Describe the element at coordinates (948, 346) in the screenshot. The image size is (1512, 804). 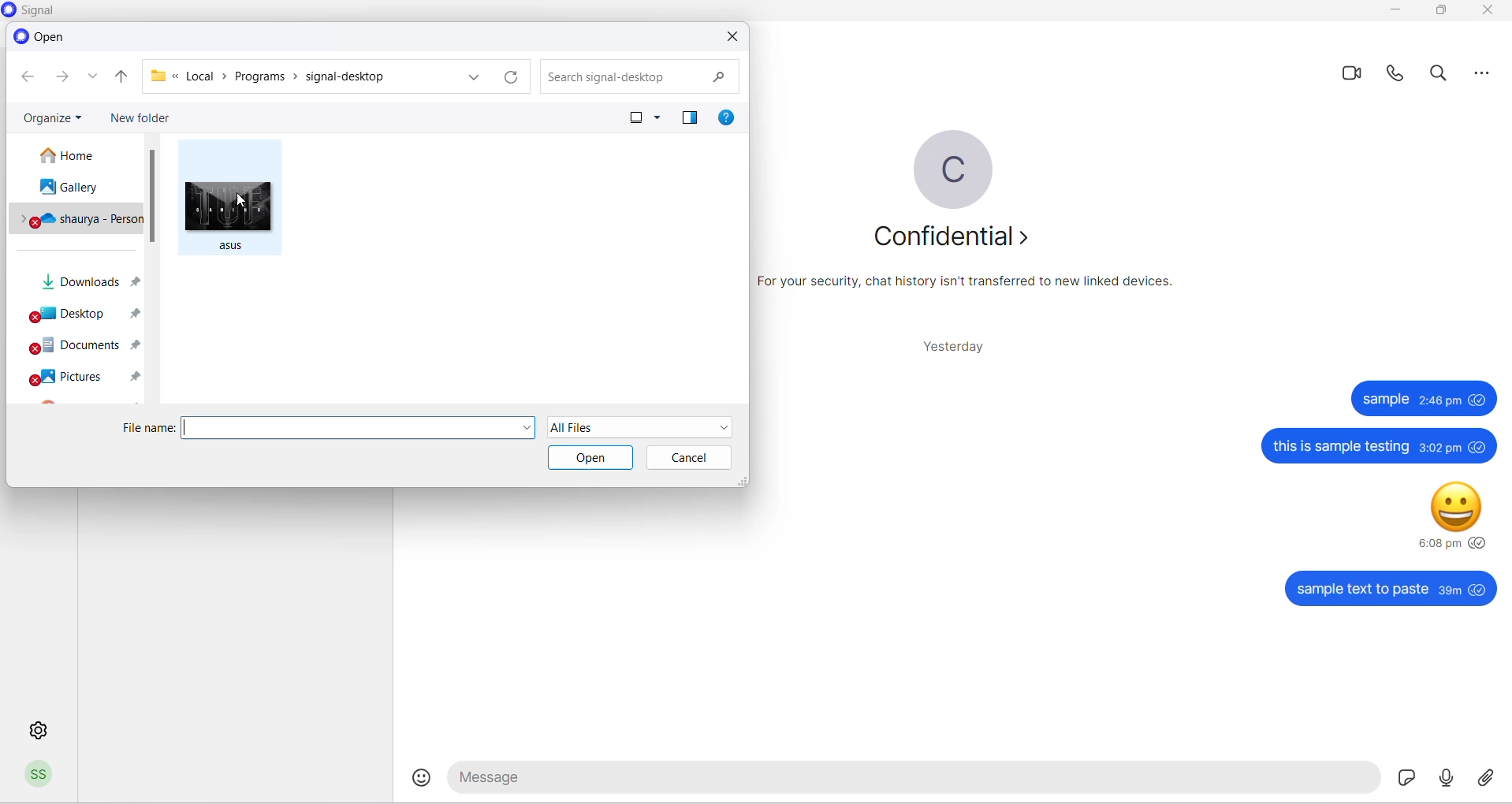
I see `yesterday ` at that location.